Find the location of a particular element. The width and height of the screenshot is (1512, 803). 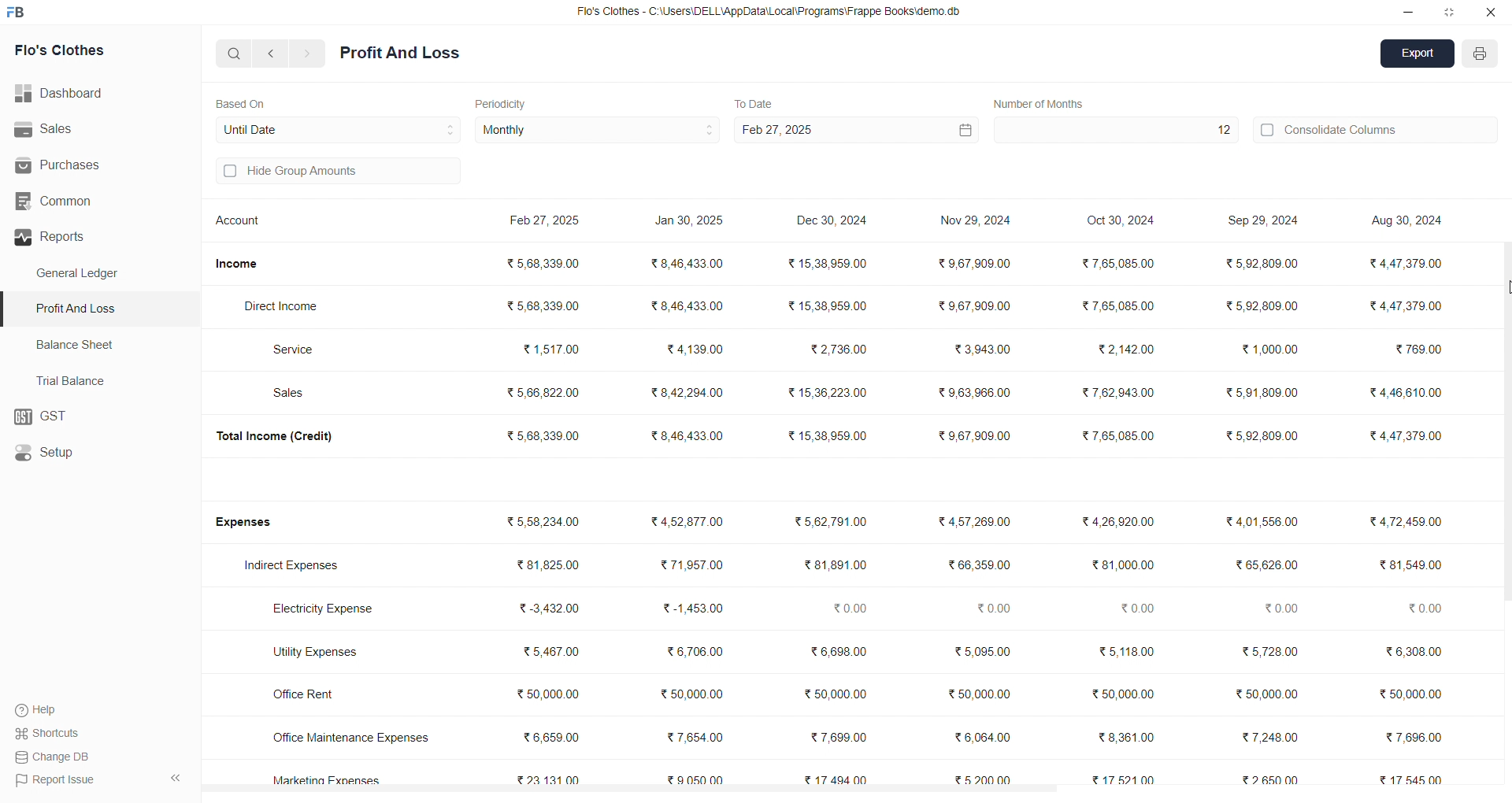

Sales is located at coordinates (296, 394).